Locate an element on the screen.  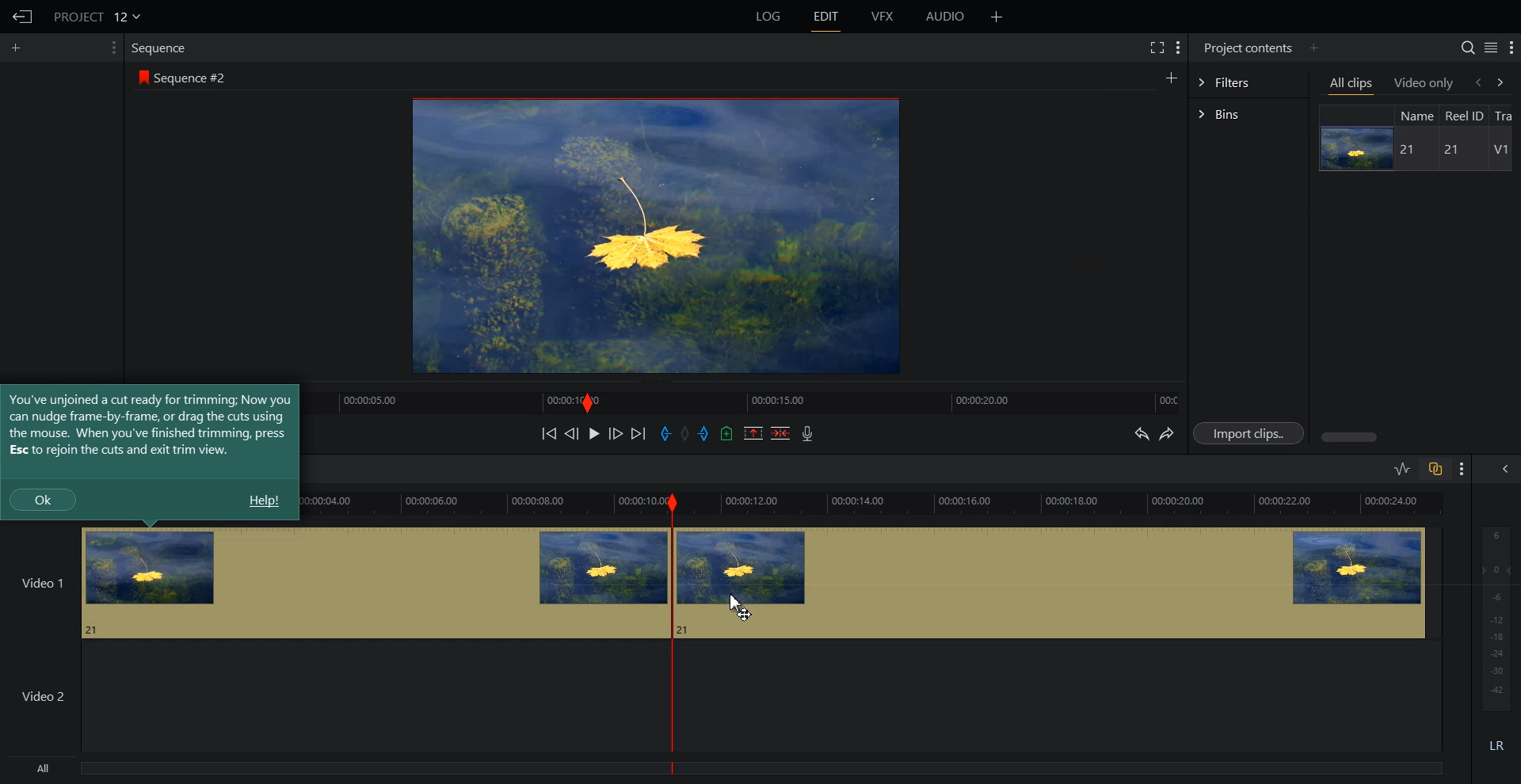
Move Forward is located at coordinates (638, 433).